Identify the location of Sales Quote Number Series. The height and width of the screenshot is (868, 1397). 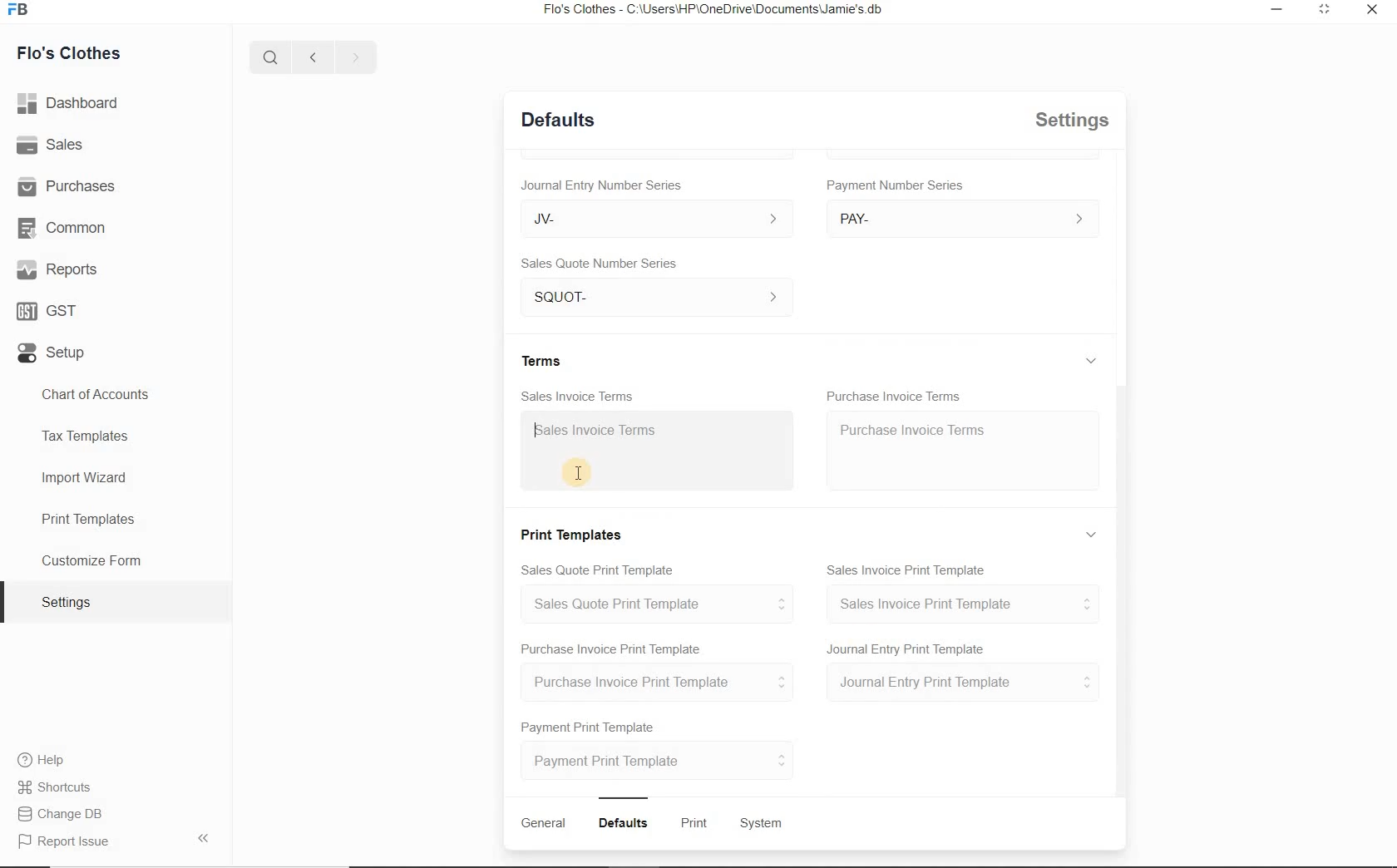
(599, 264).